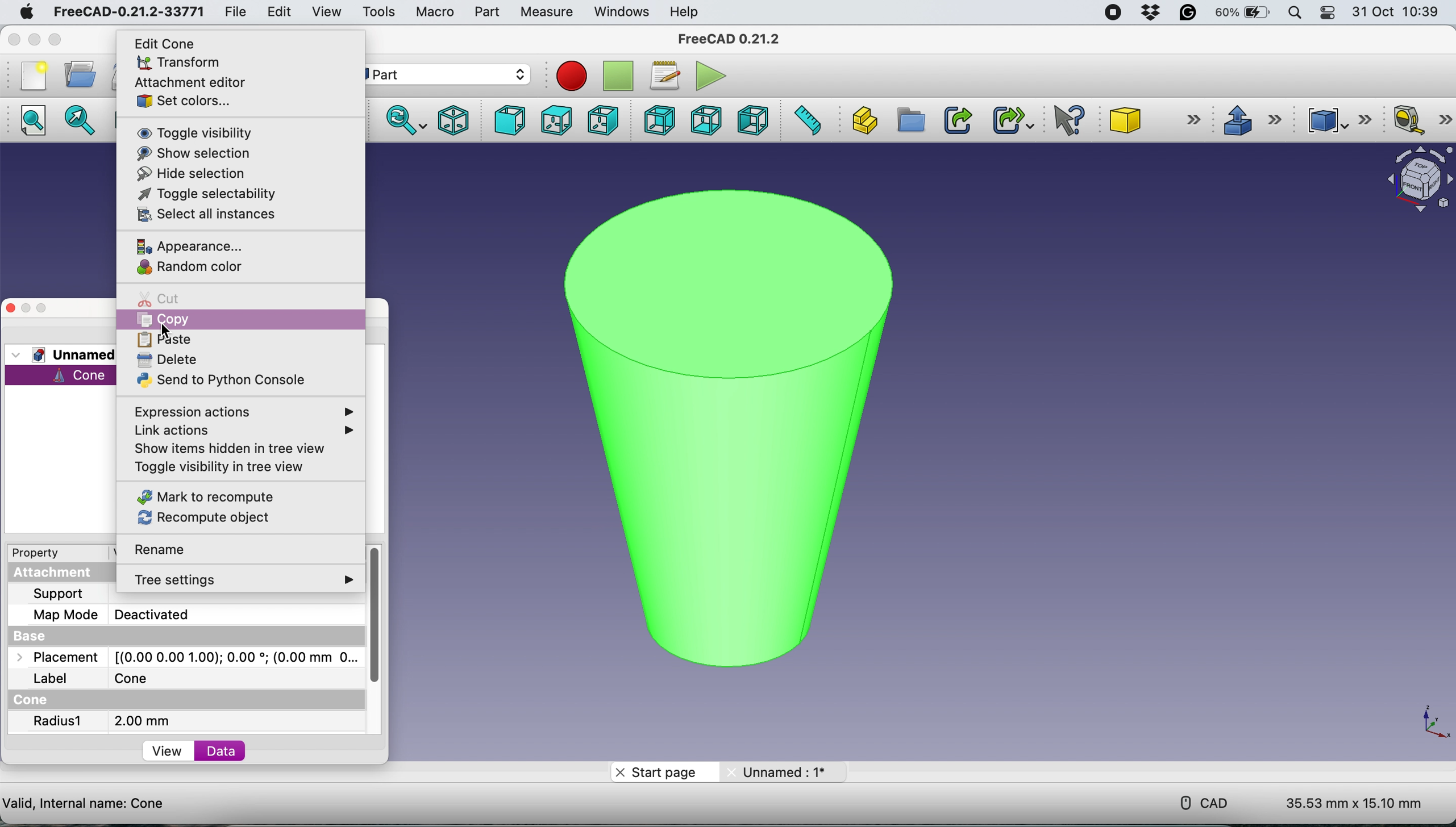 Image resolution: width=1456 pixels, height=827 pixels. I want to click on transform, so click(176, 63).